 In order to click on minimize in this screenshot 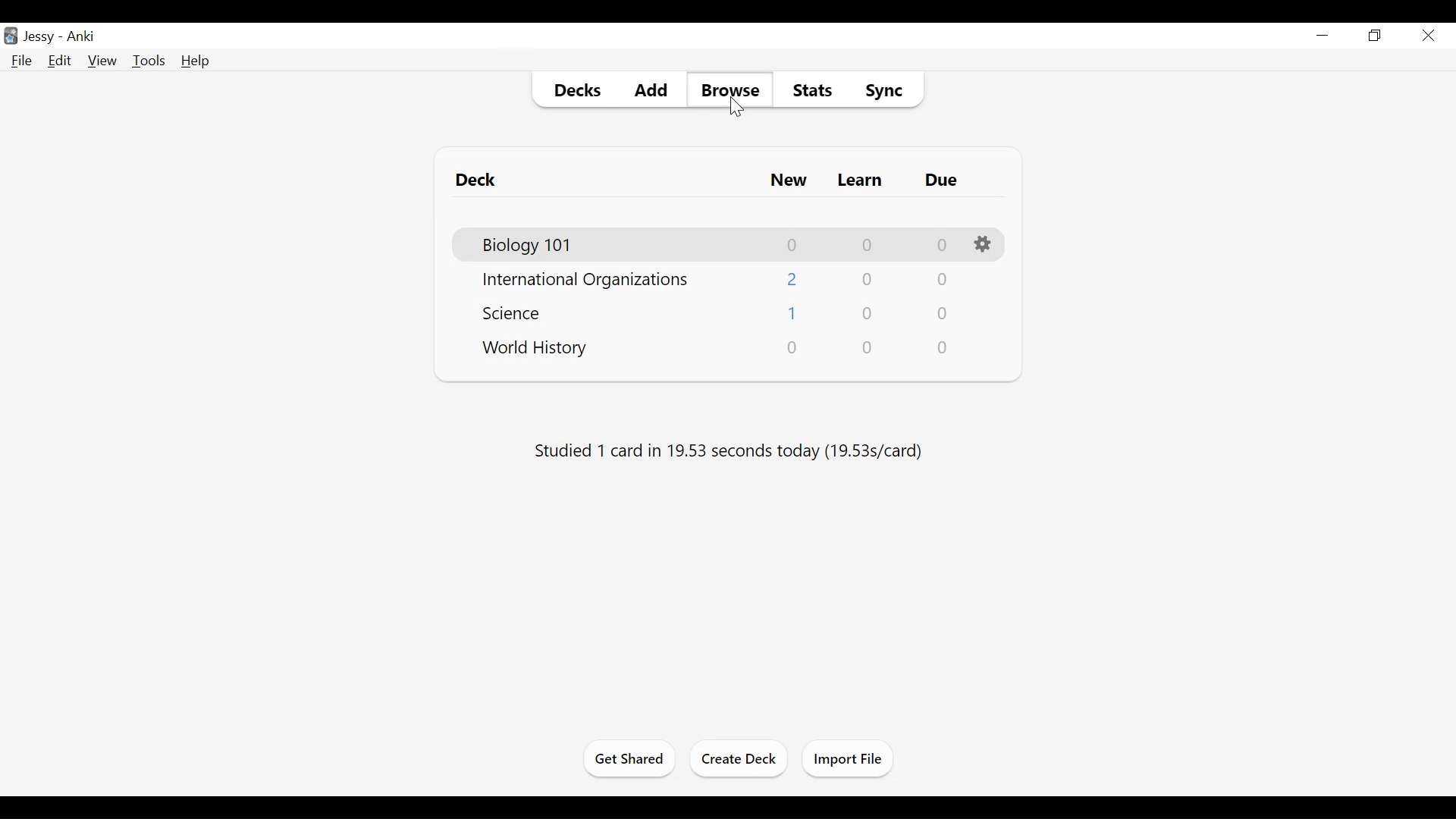, I will do `click(1323, 35)`.